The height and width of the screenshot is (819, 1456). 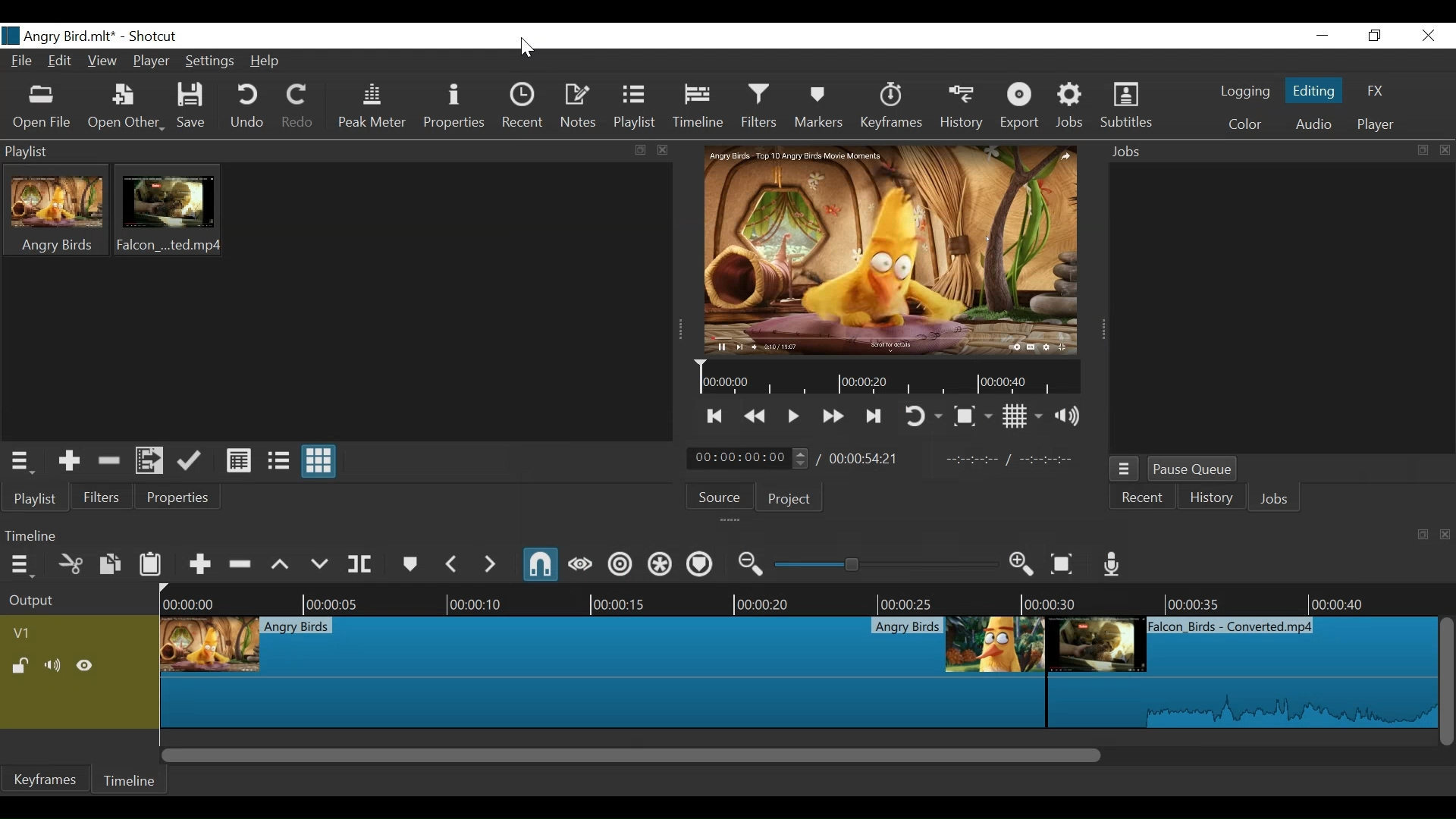 I want to click on Timeline menu, so click(x=24, y=566).